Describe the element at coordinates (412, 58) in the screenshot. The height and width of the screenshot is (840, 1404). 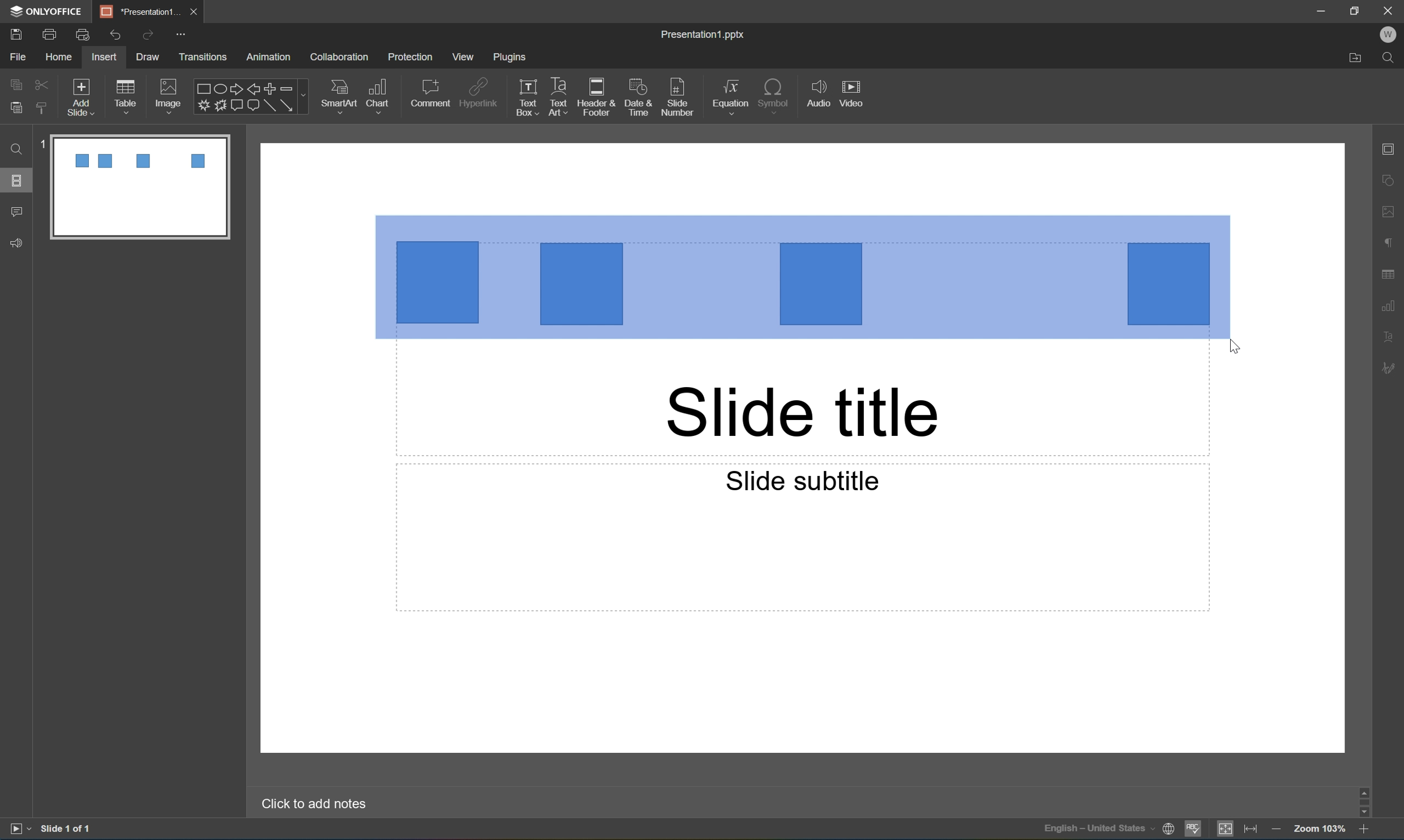
I see `protection` at that location.